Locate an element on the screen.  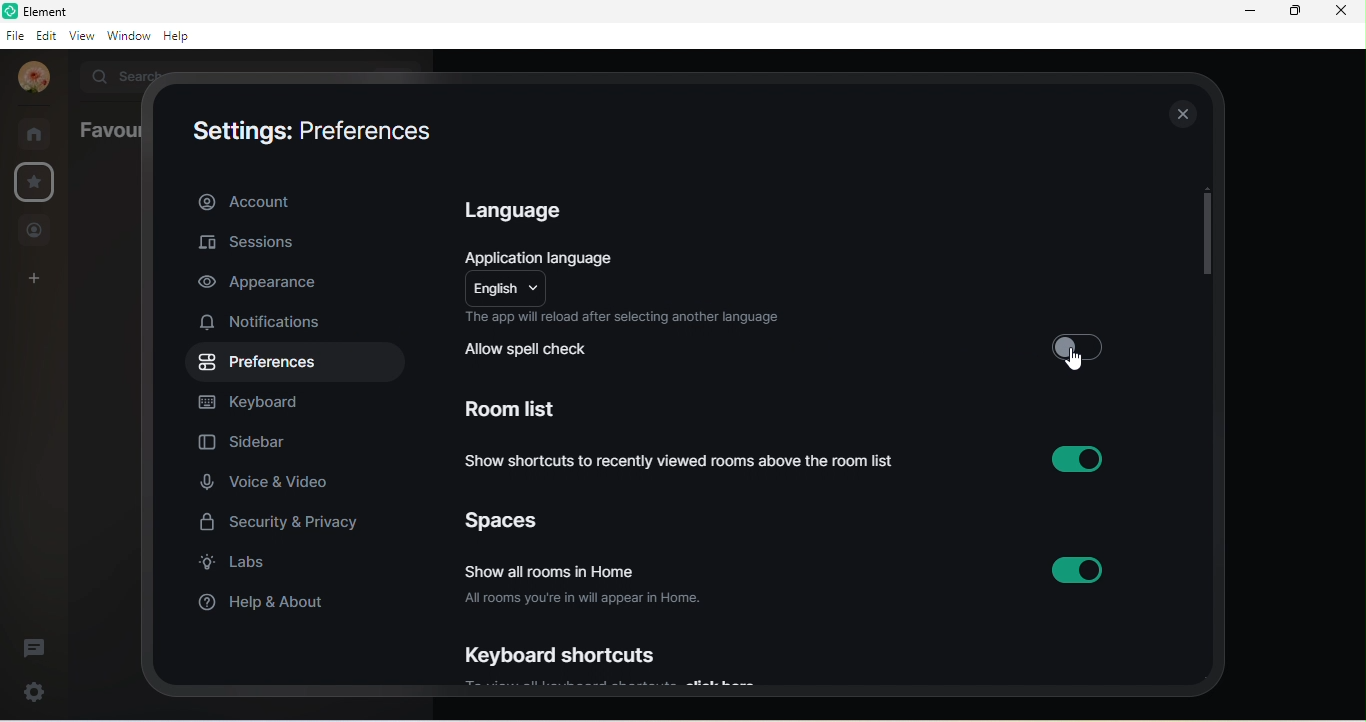
spaces is located at coordinates (513, 526).